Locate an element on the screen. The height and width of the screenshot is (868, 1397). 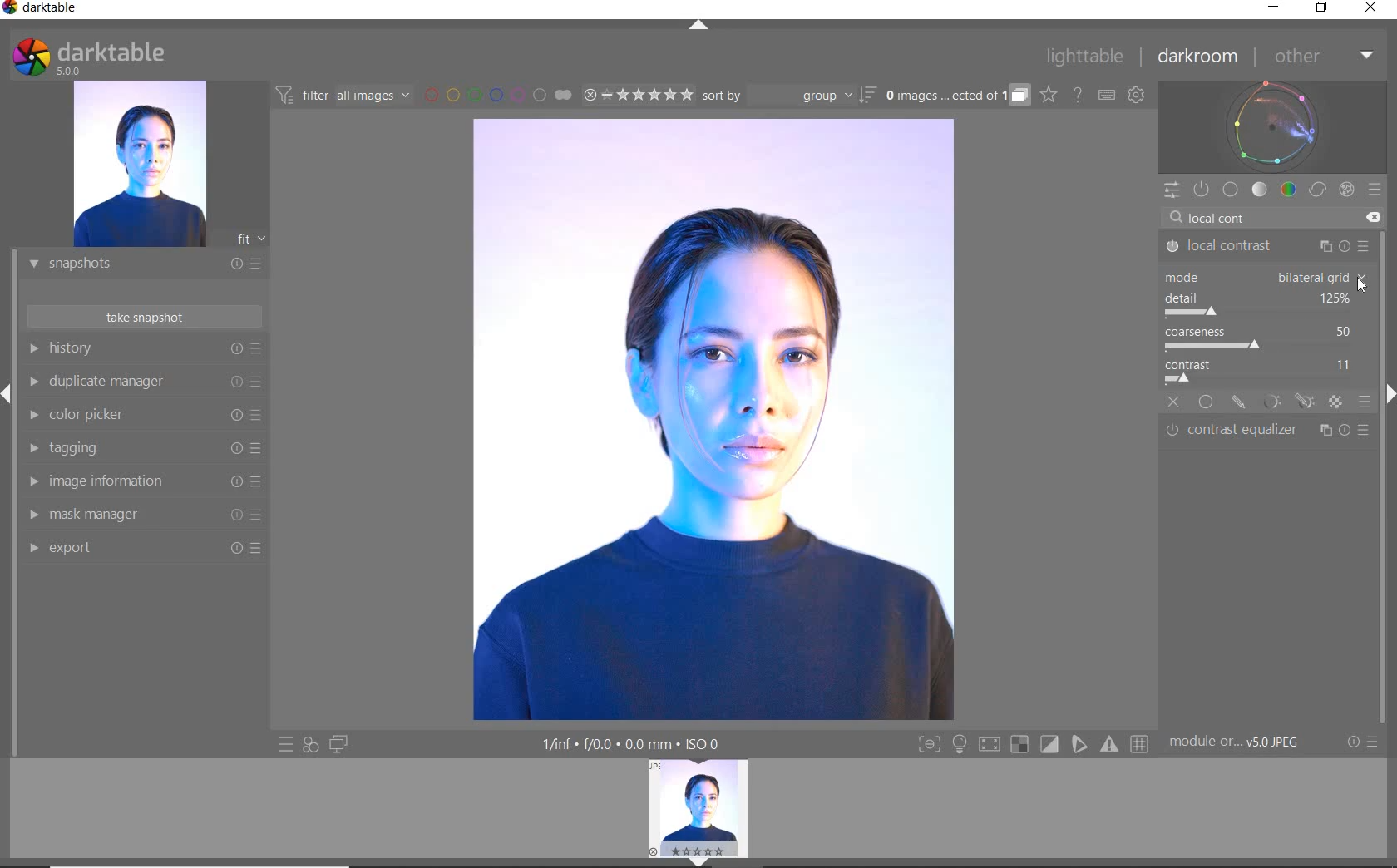
BLENDING OPTIONS is located at coordinates (1365, 402).